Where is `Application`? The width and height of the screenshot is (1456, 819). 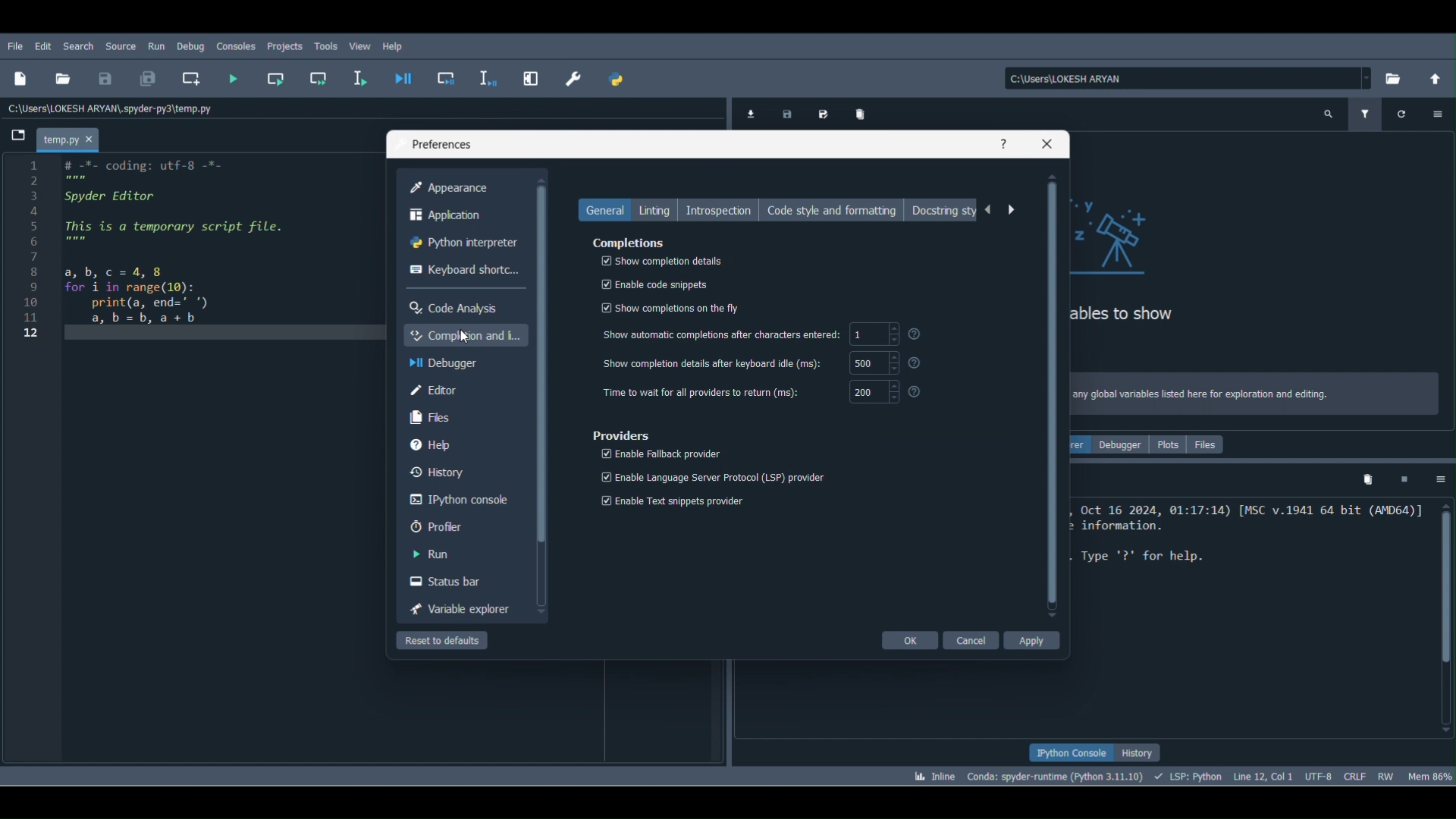 Application is located at coordinates (462, 217).